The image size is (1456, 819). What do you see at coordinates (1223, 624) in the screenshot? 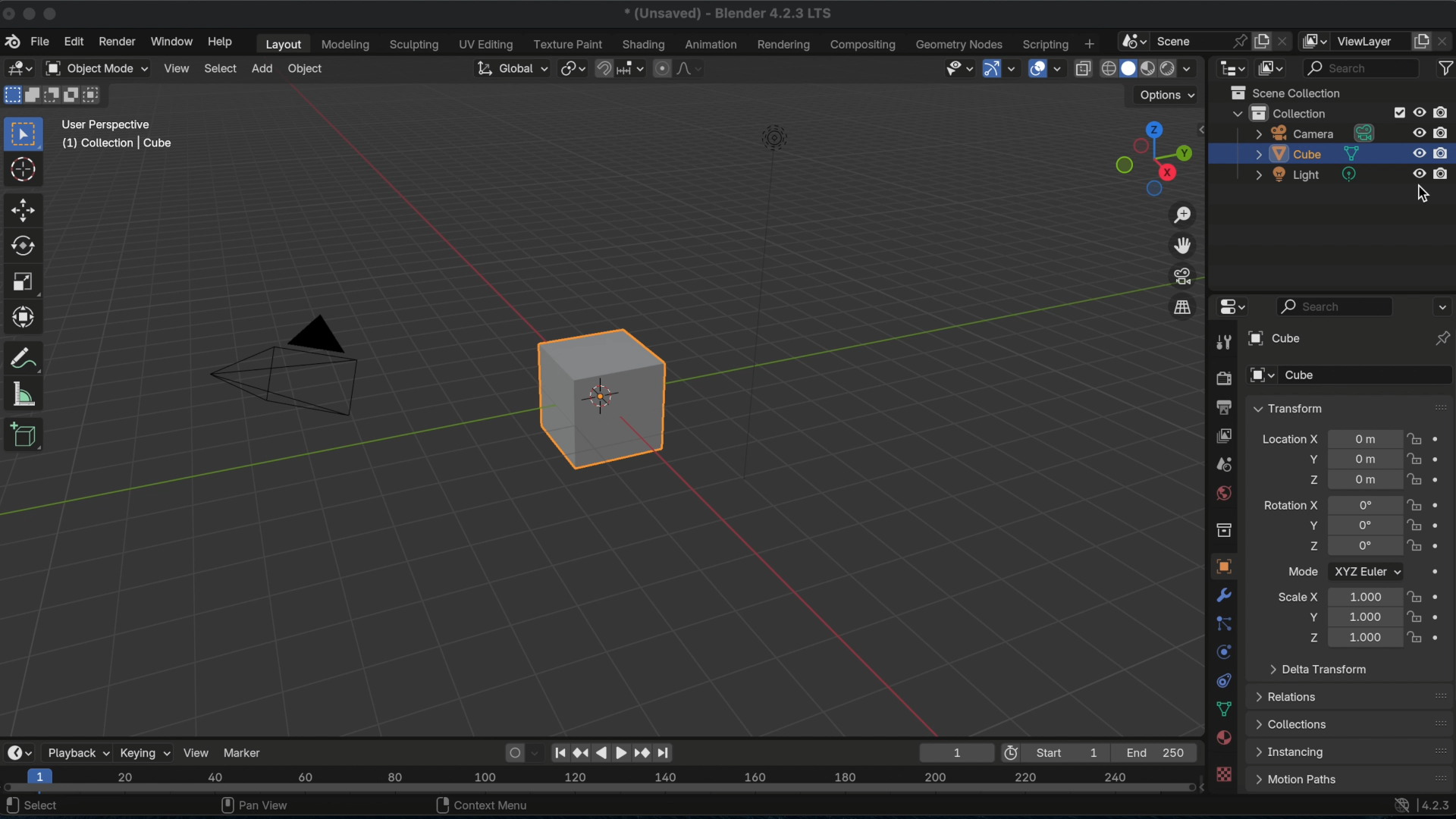
I see `particles` at bounding box center [1223, 624].